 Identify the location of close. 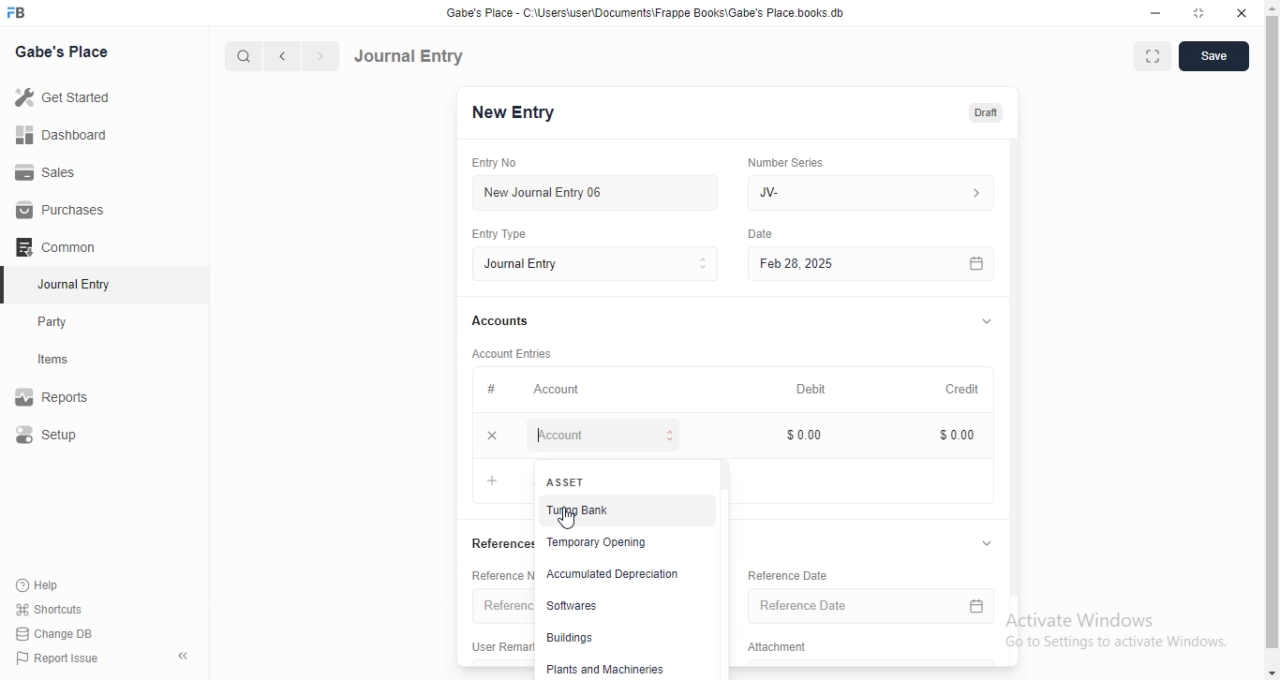
(498, 436).